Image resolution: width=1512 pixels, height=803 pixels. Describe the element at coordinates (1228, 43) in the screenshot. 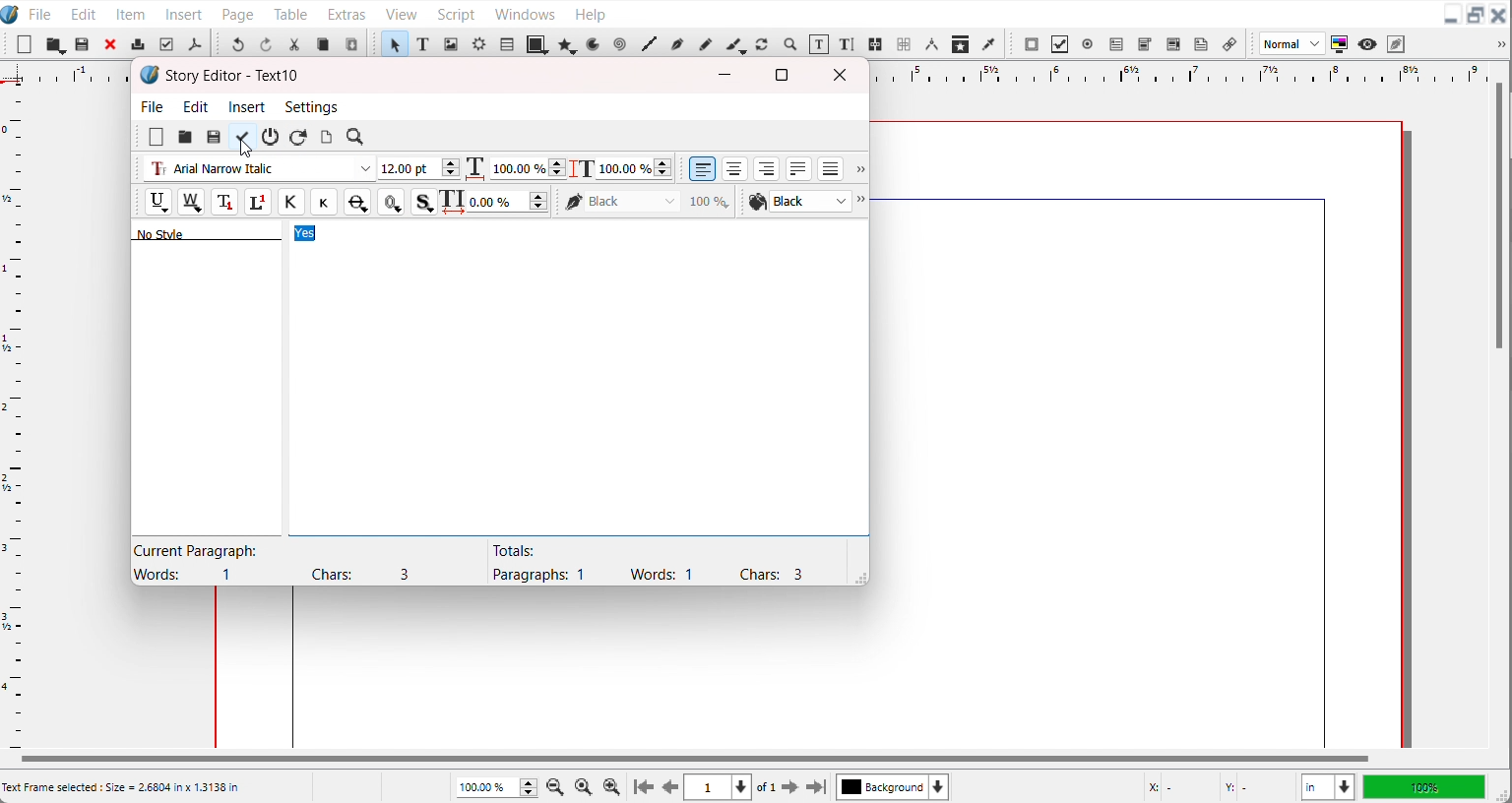

I see `List Annotation` at that location.